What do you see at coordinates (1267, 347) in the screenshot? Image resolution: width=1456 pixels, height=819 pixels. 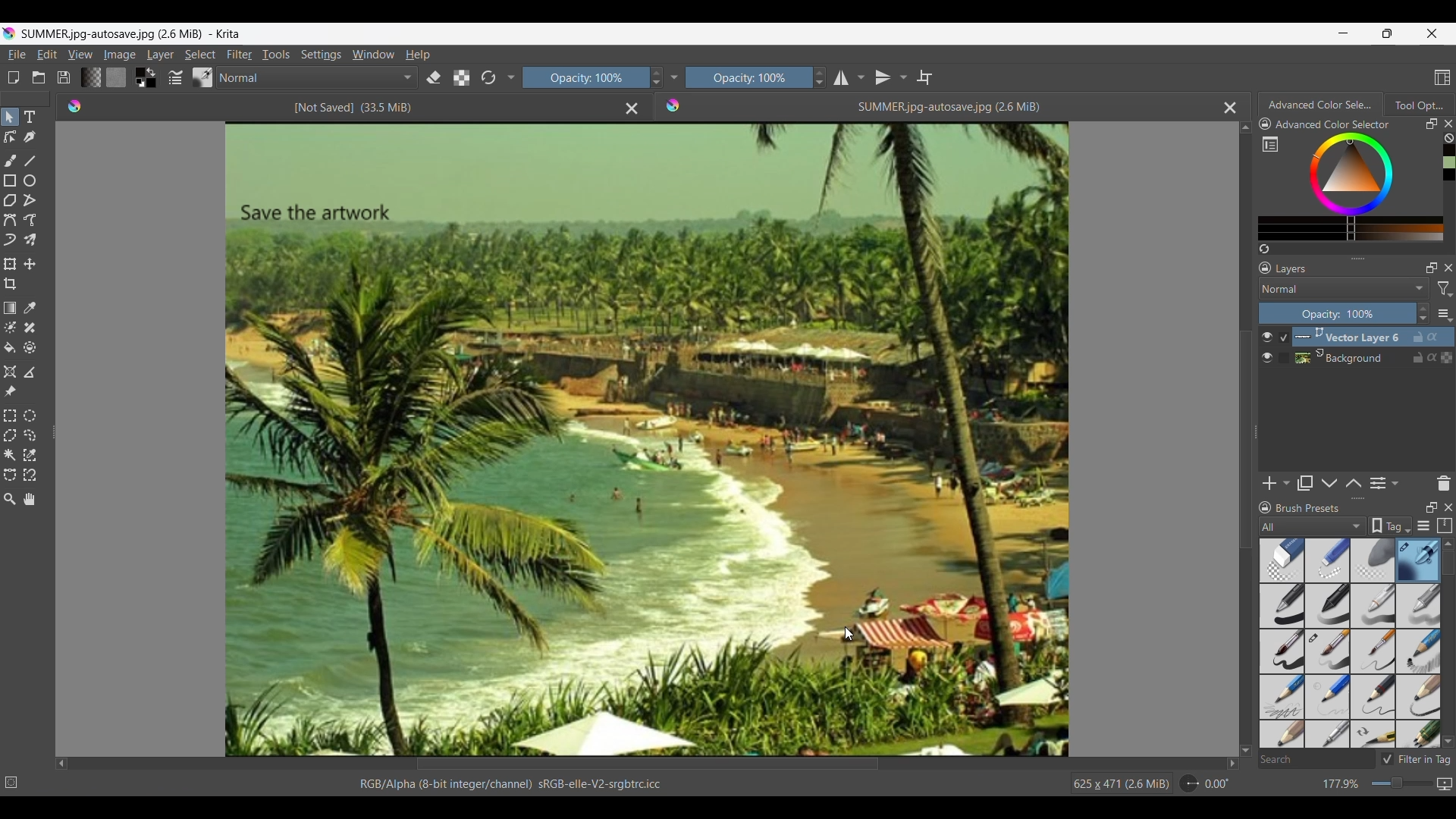 I see `Show/Hide layer` at bounding box center [1267, 347].